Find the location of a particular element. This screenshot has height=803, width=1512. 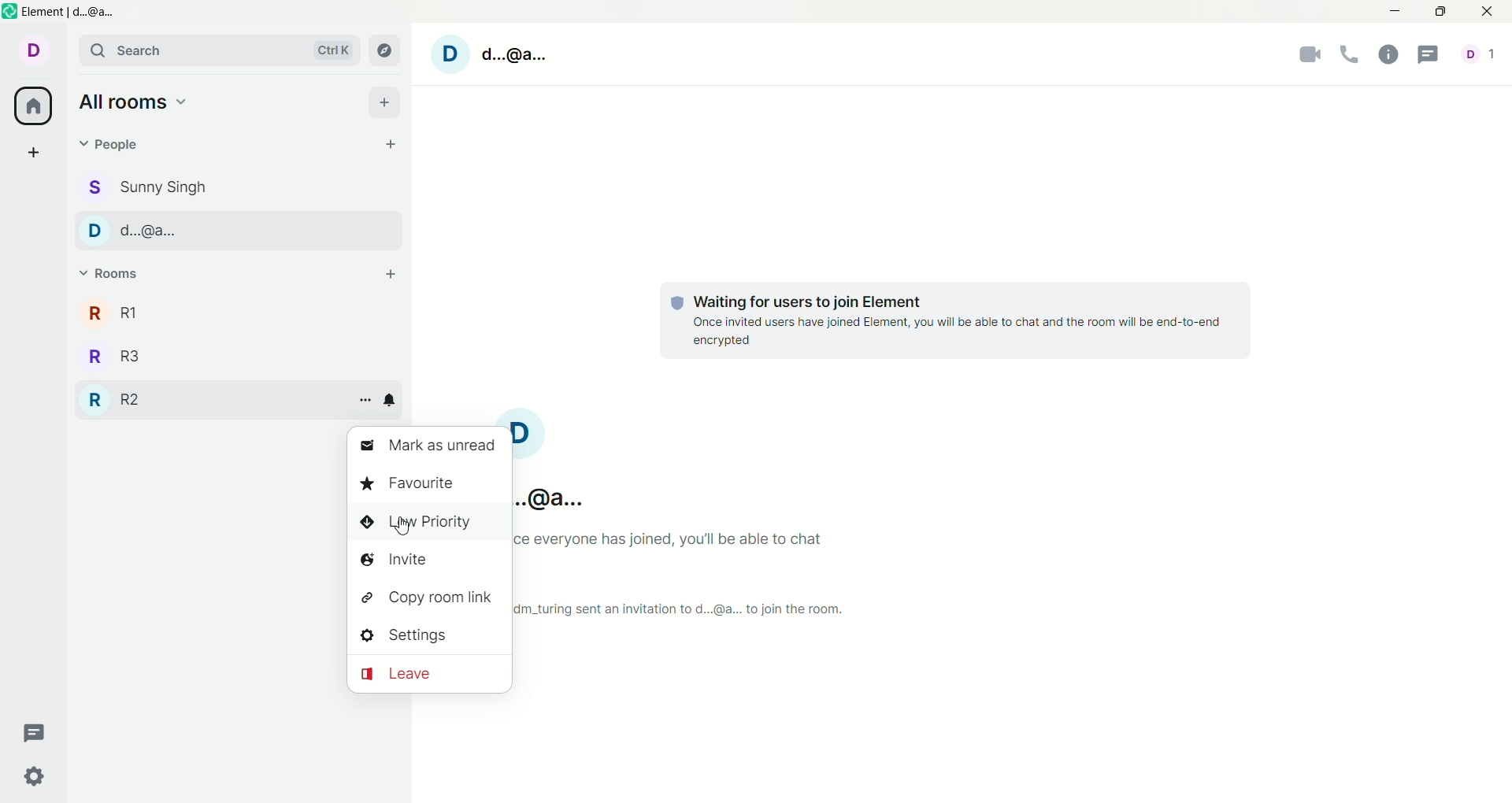

notification is located at coordinates (391, 401).